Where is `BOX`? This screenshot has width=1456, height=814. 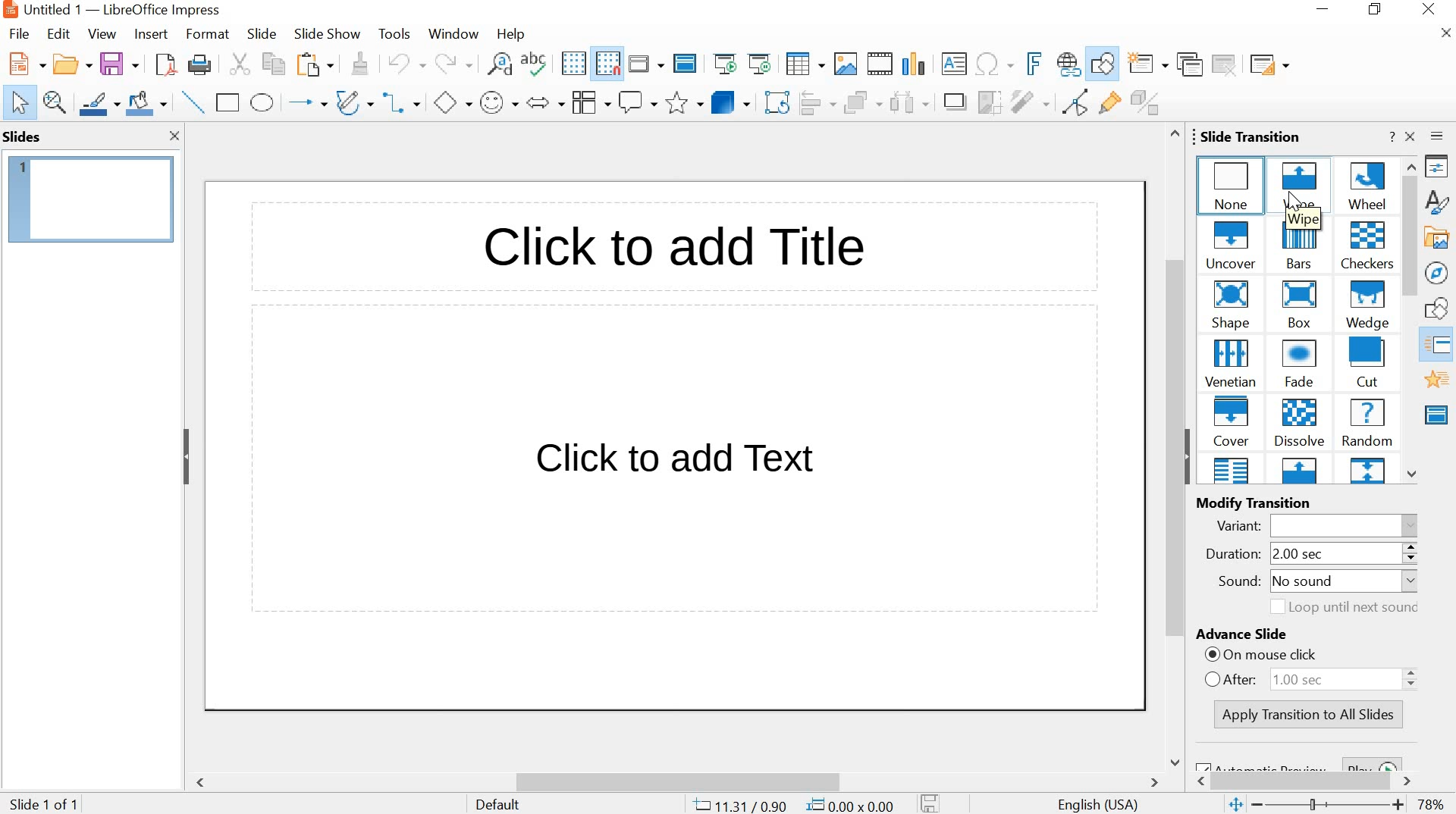
BOX is located at coordinates (1297, 306).